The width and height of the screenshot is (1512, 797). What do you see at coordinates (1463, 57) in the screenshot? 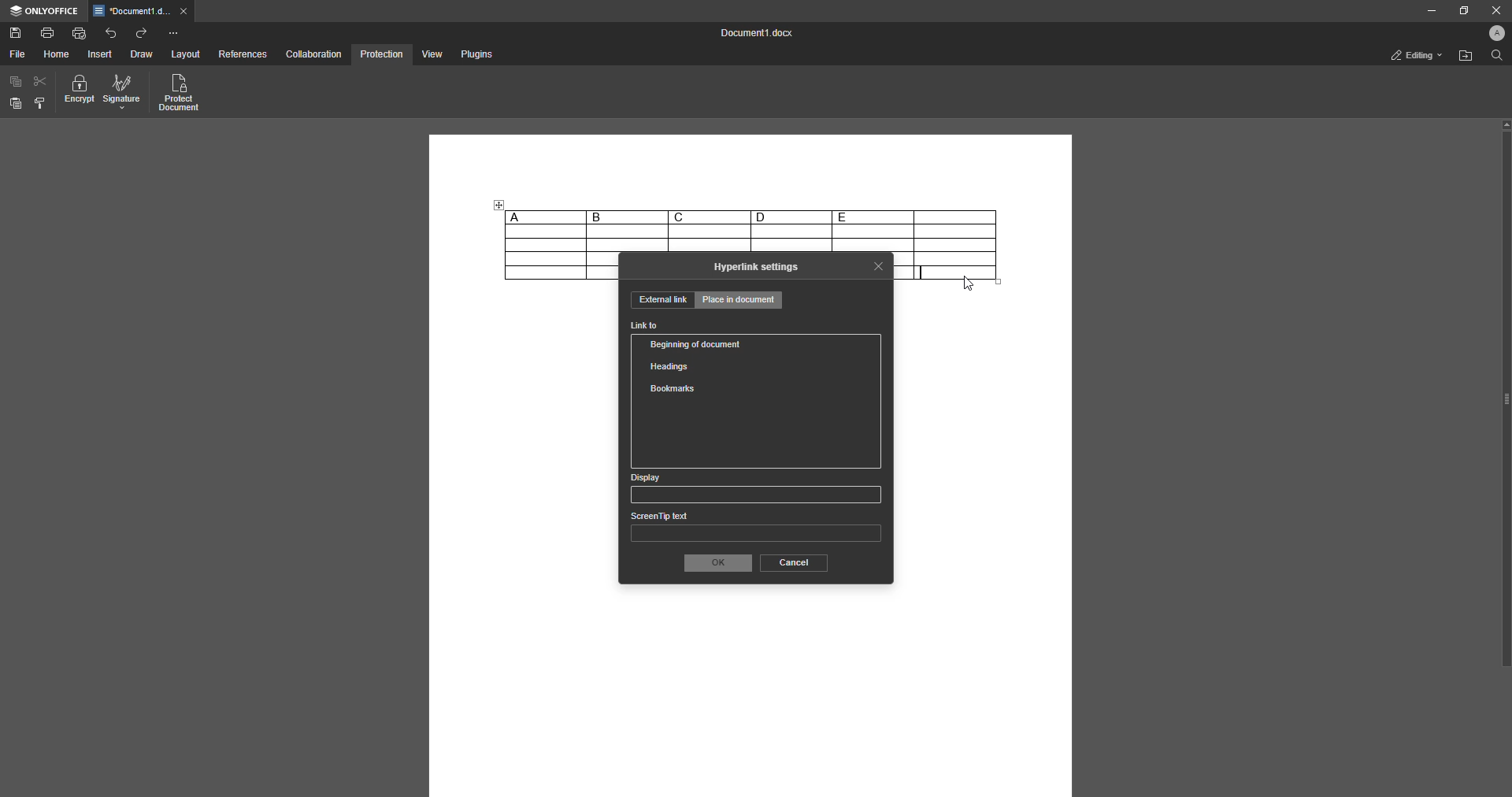
I see `New folder` at bounding box center [1463, 57].